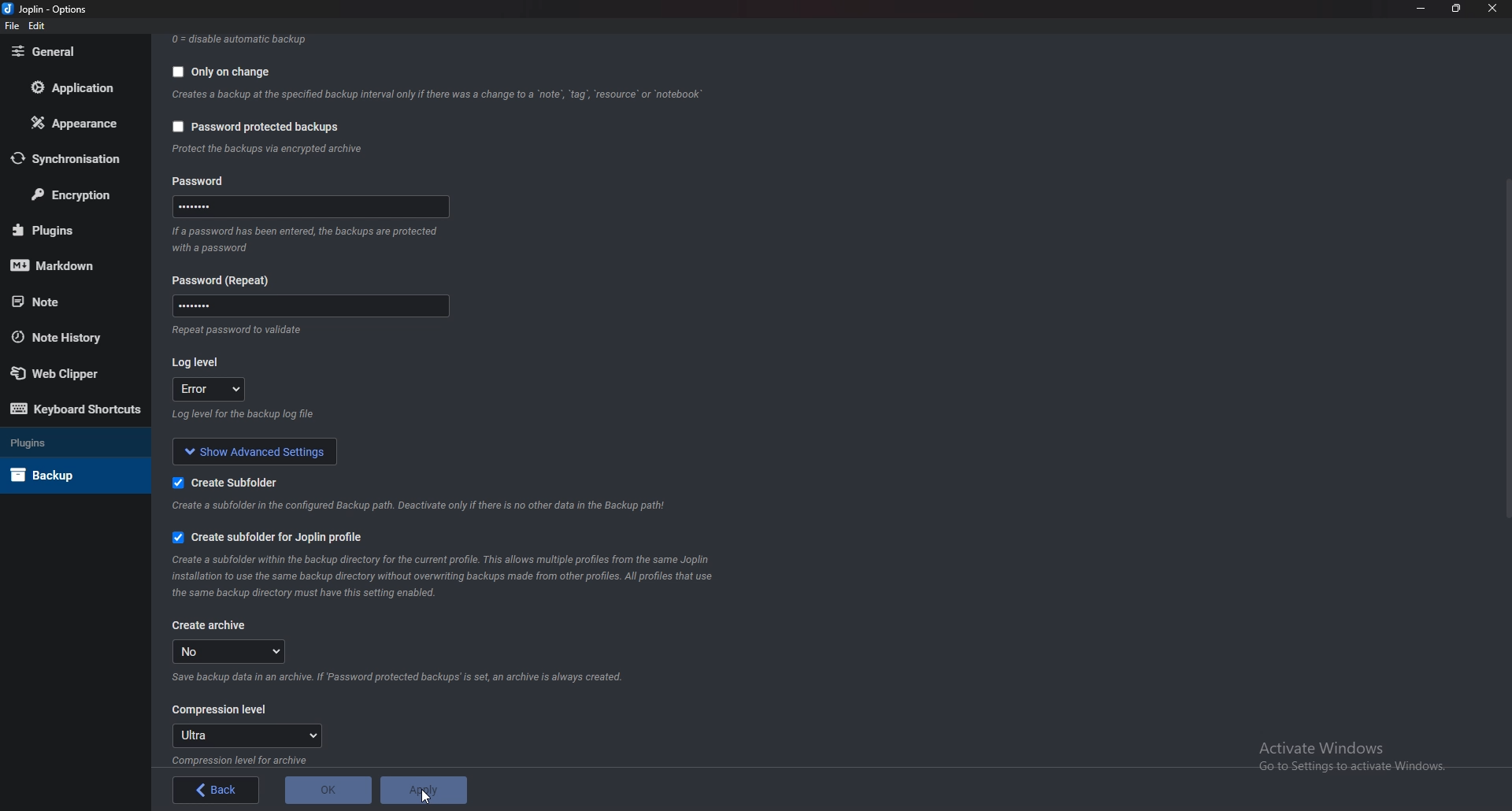 Image resolution: width=1512 pixels, height=811 pixels. Describe the element at coordinates (75, 158) in the screenshot. I see `Synchronization` at that location.